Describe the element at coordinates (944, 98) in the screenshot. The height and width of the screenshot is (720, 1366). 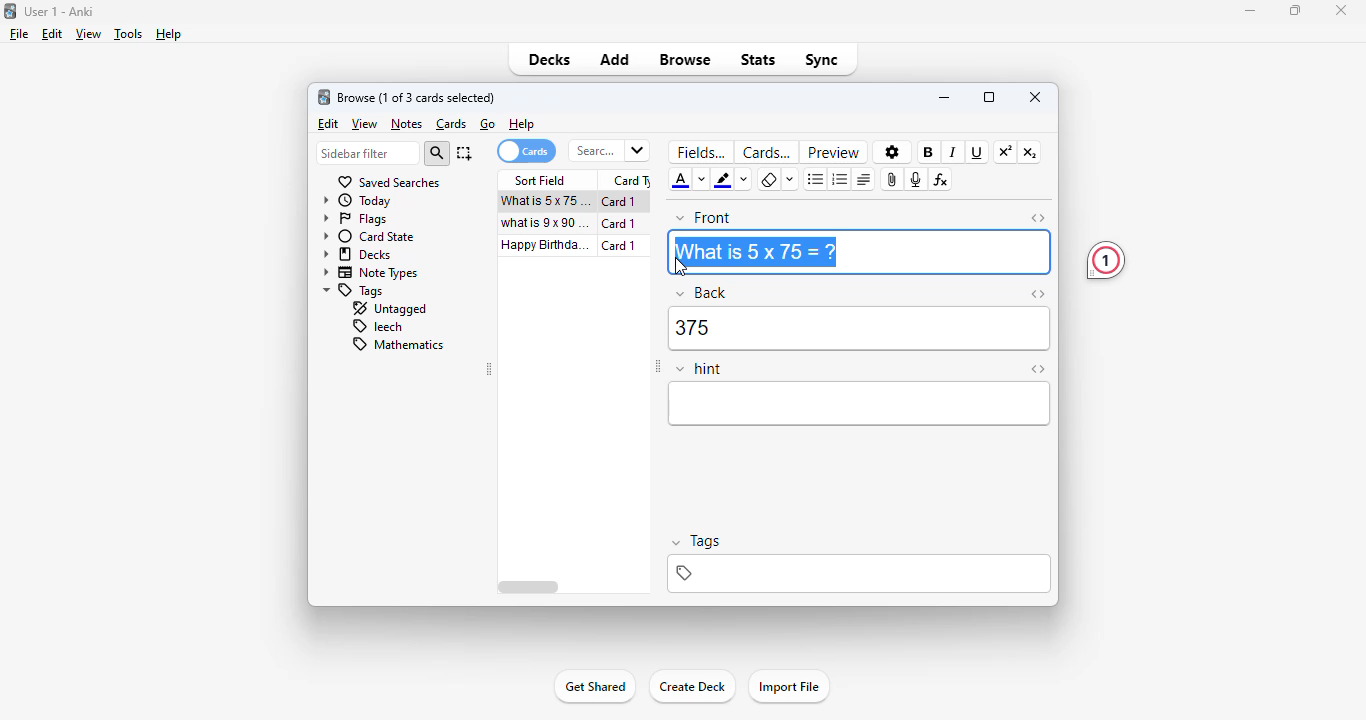
I see `minimize` at that location.